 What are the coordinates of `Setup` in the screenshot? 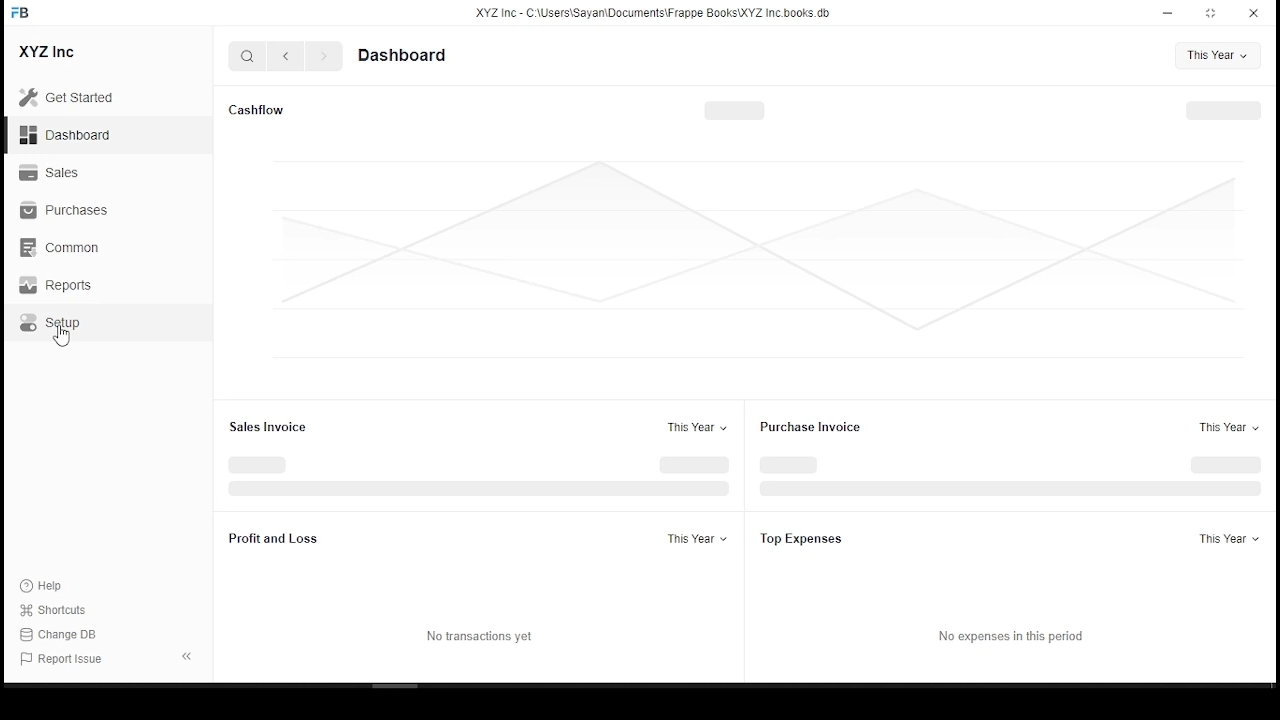 It's located at (50, 323).